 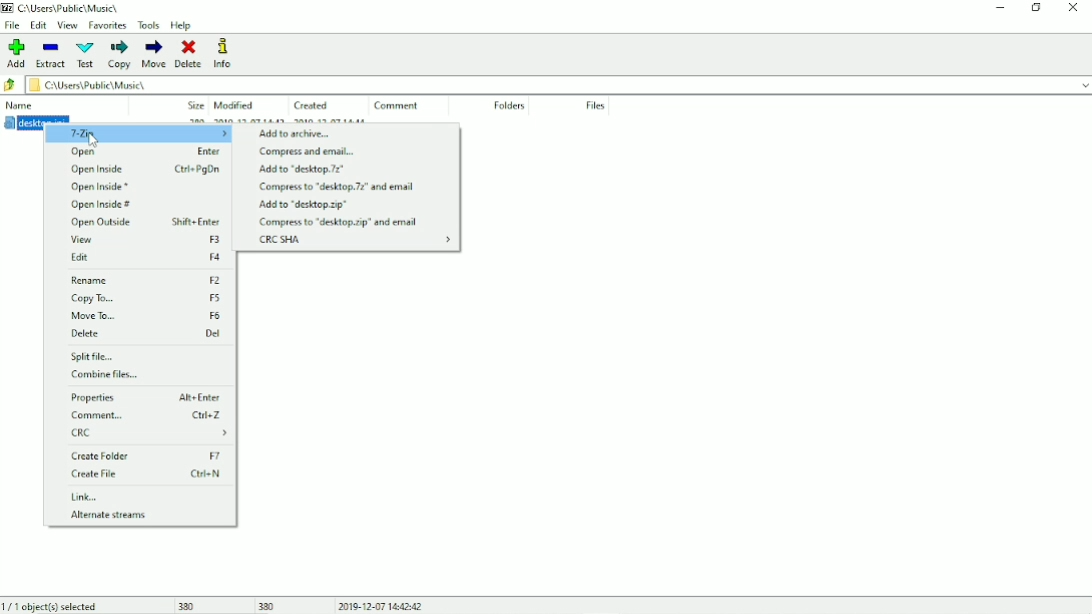 I want to click on Copy, so click(x=120, y=54).